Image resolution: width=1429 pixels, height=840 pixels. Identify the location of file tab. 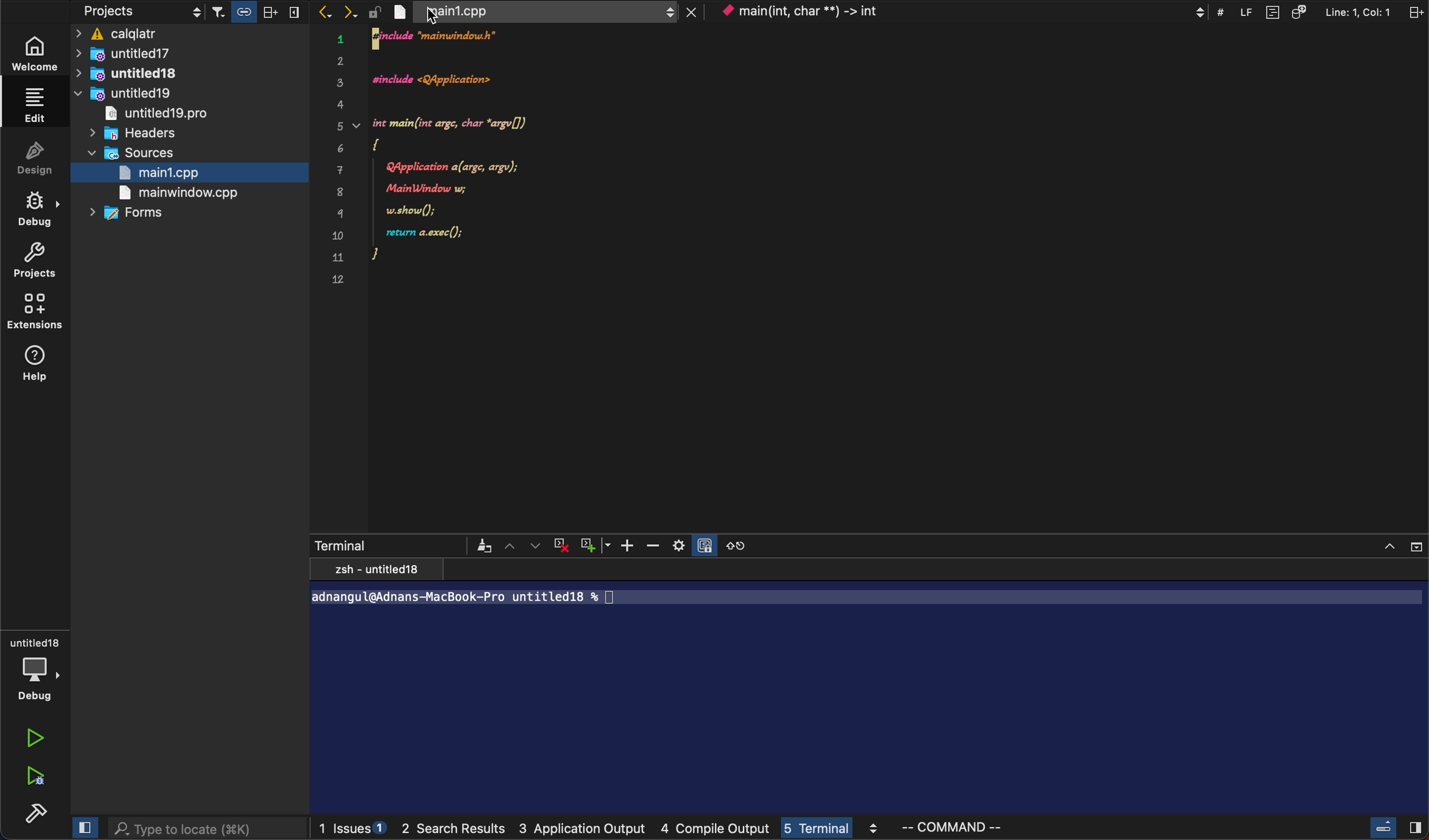
(544, 12).